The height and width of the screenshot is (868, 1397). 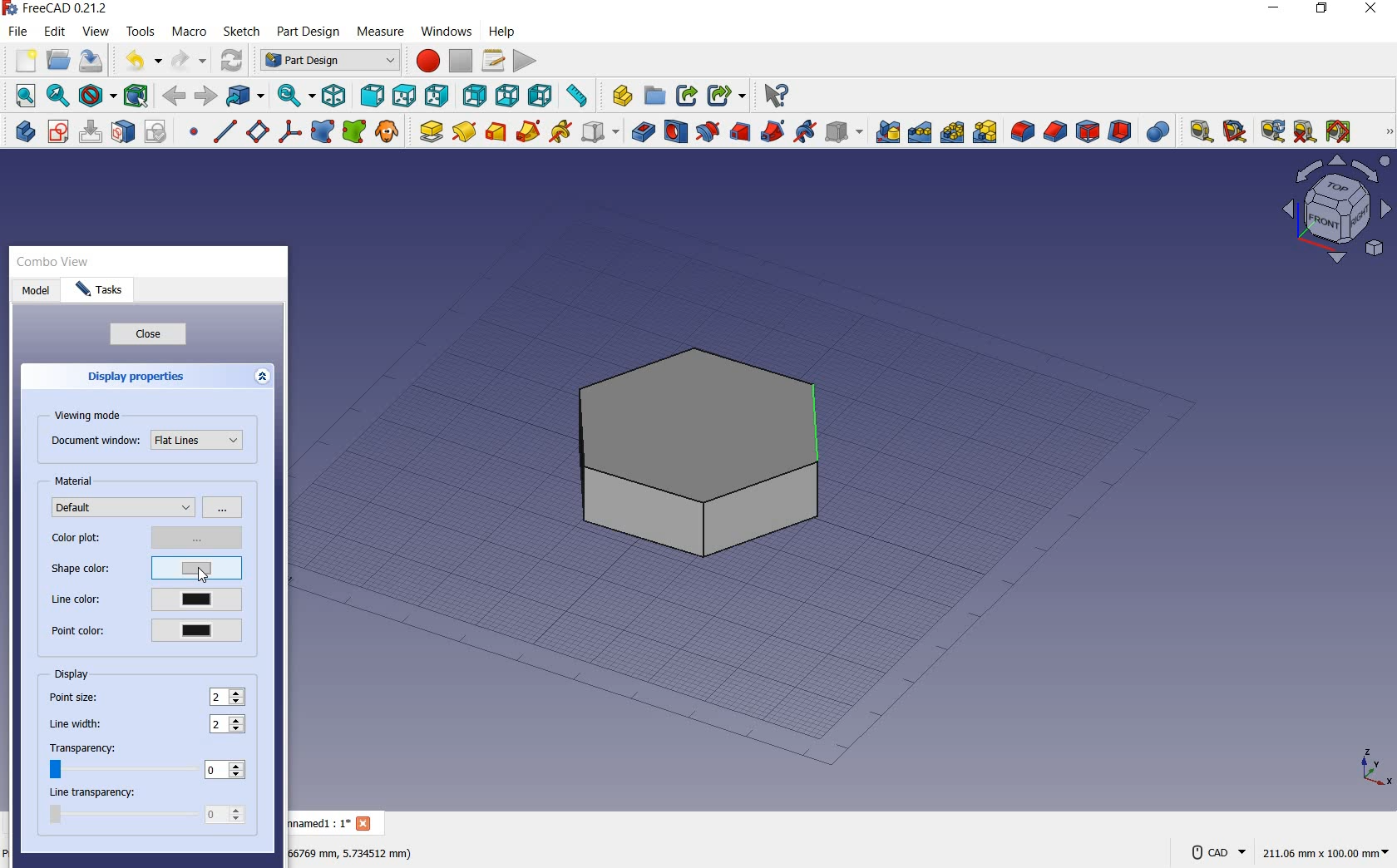 What do you see at coordinates (240, 32) in the screenshot?
I see `sketch` at bounding box center [240, 32].